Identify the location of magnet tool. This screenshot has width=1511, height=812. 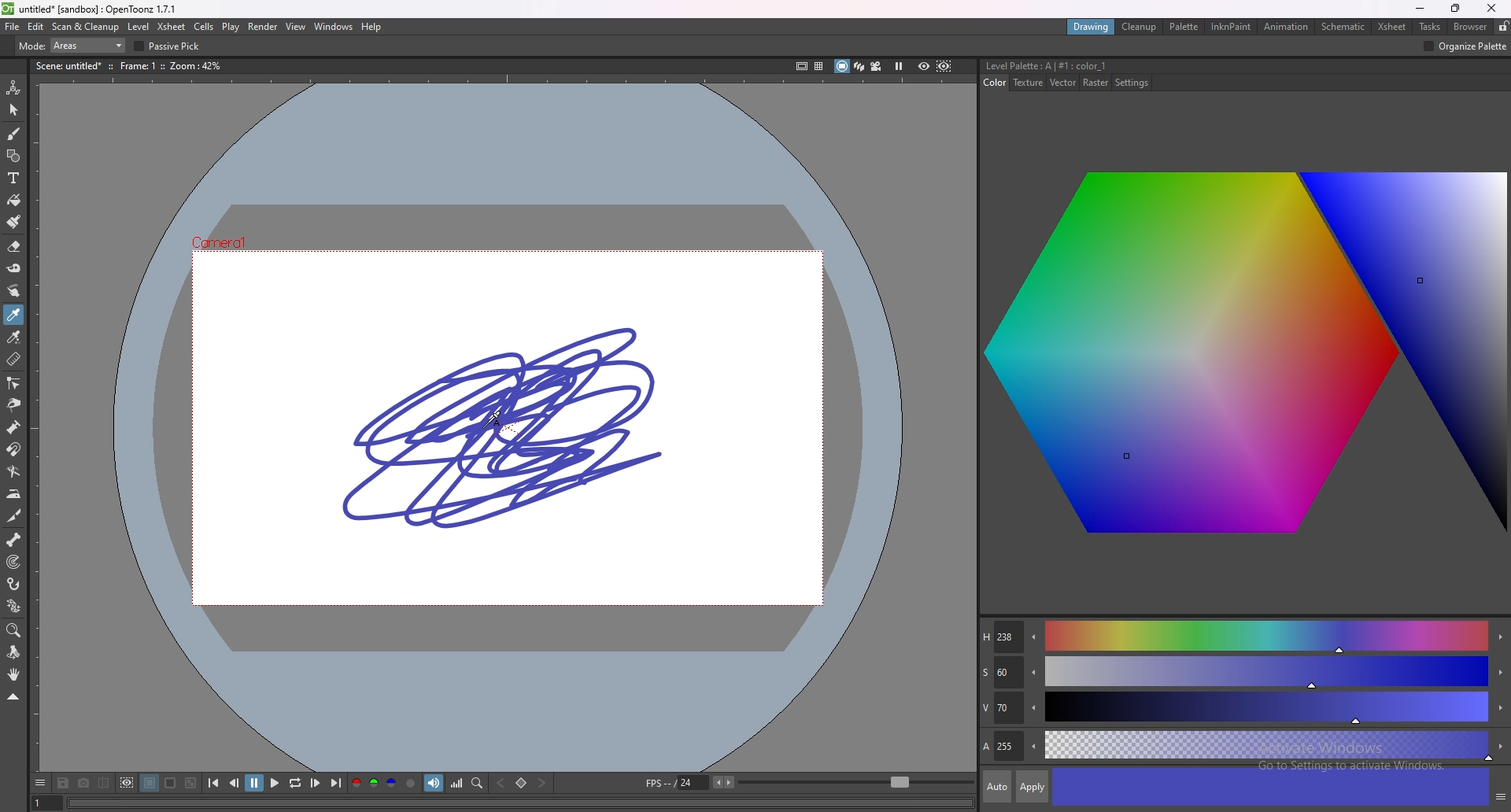
(13, 449).